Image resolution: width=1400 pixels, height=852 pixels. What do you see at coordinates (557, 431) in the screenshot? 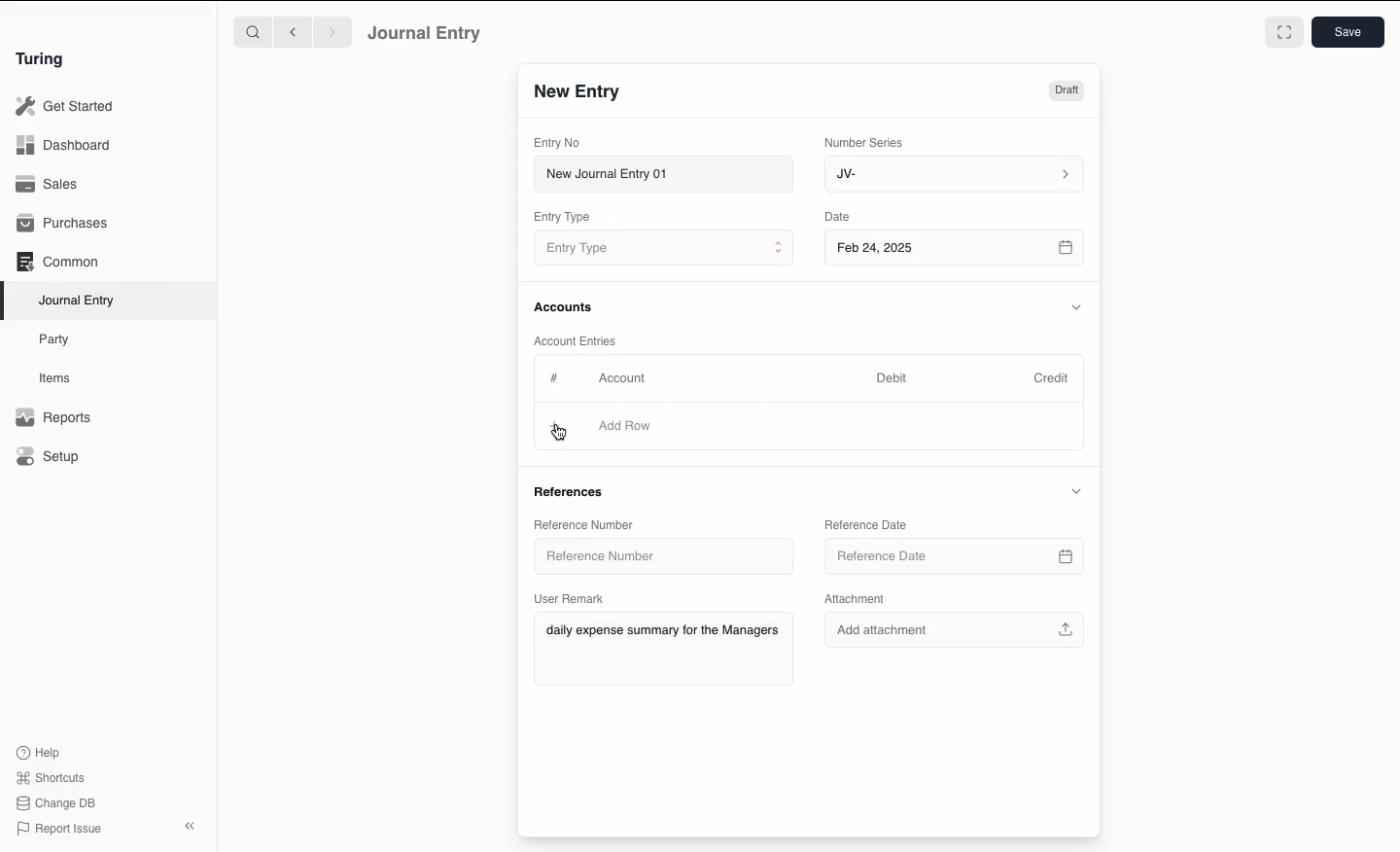
I see `cursor` at bounding box center [557, 431].